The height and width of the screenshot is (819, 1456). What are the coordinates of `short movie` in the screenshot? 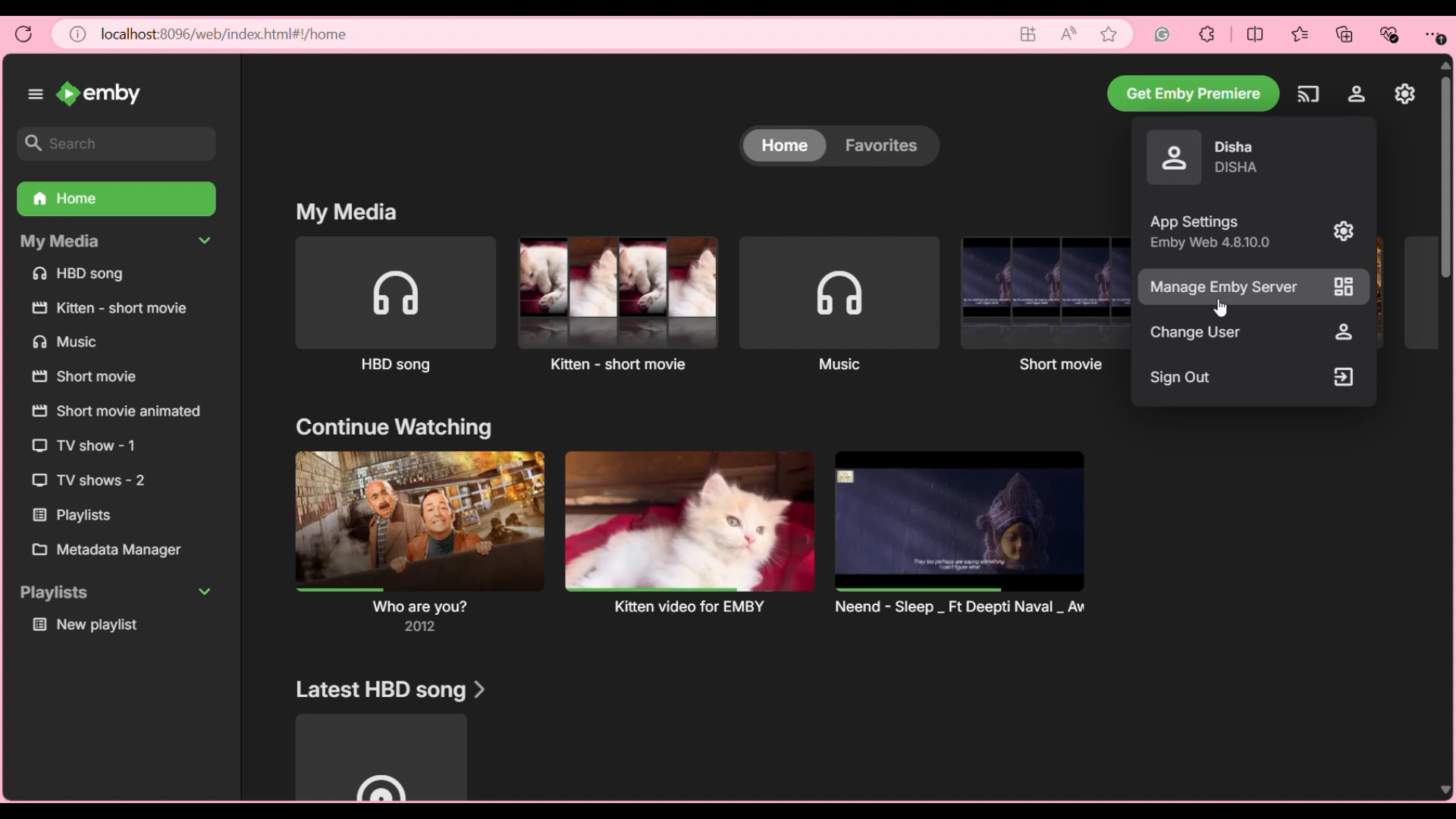 It's located at (1039, 309).